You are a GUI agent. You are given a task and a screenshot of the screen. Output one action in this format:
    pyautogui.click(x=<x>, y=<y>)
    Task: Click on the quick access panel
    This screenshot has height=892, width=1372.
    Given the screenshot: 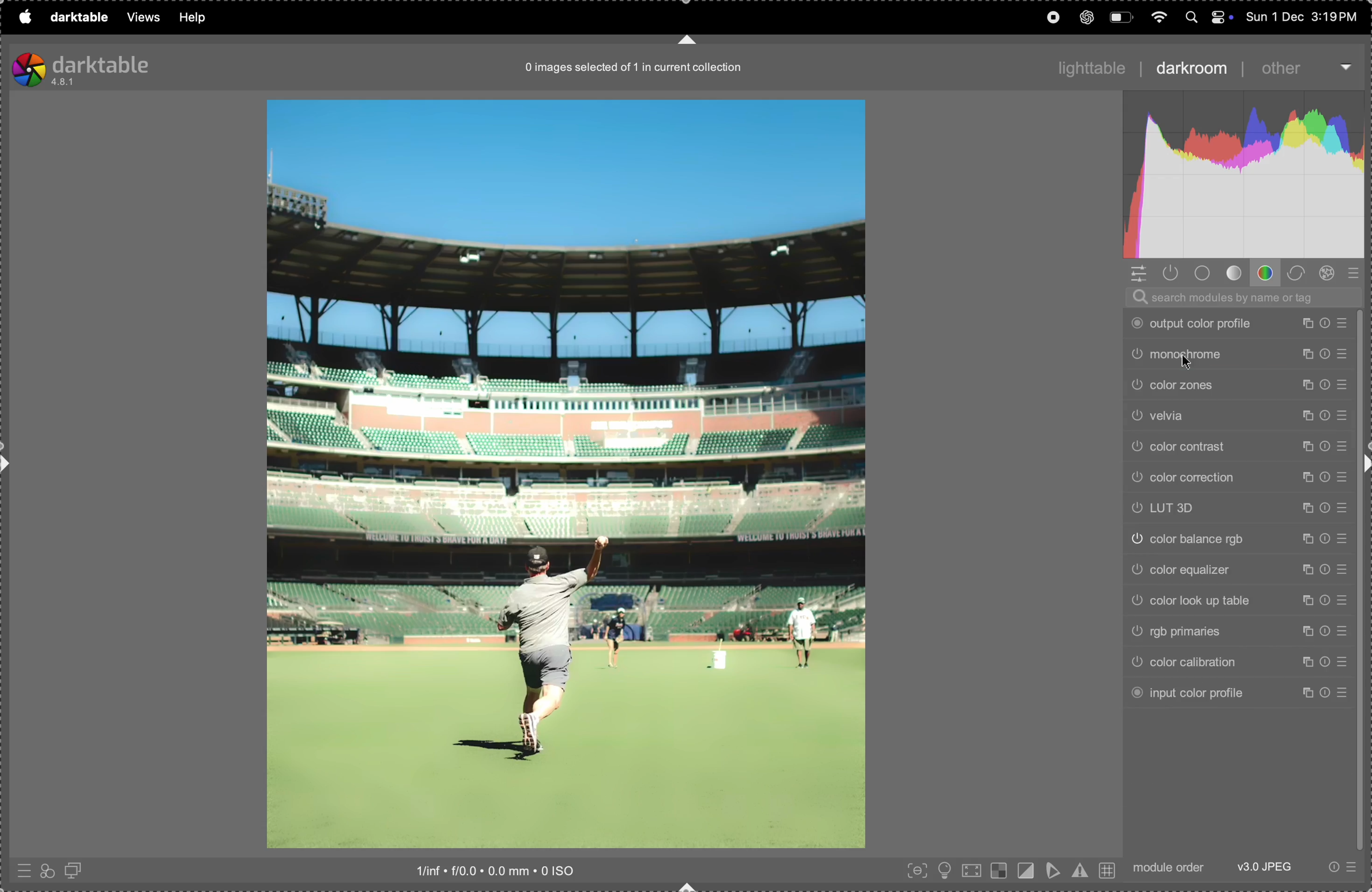 What is the action you would take?
    pyautogui.click(x=1137, y=273)
    